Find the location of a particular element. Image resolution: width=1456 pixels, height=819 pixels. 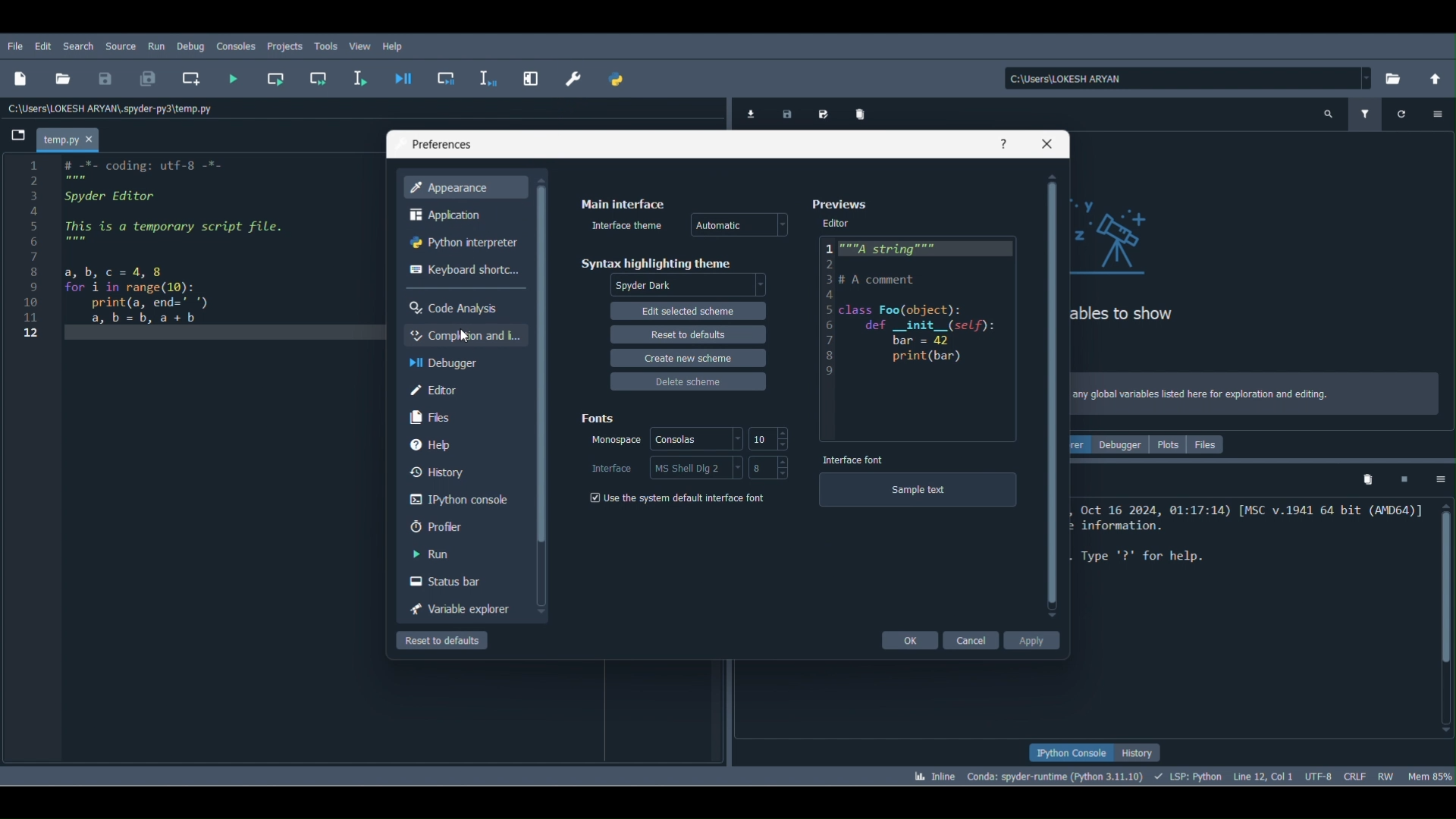

Tools is located at coordinates (326, 45).